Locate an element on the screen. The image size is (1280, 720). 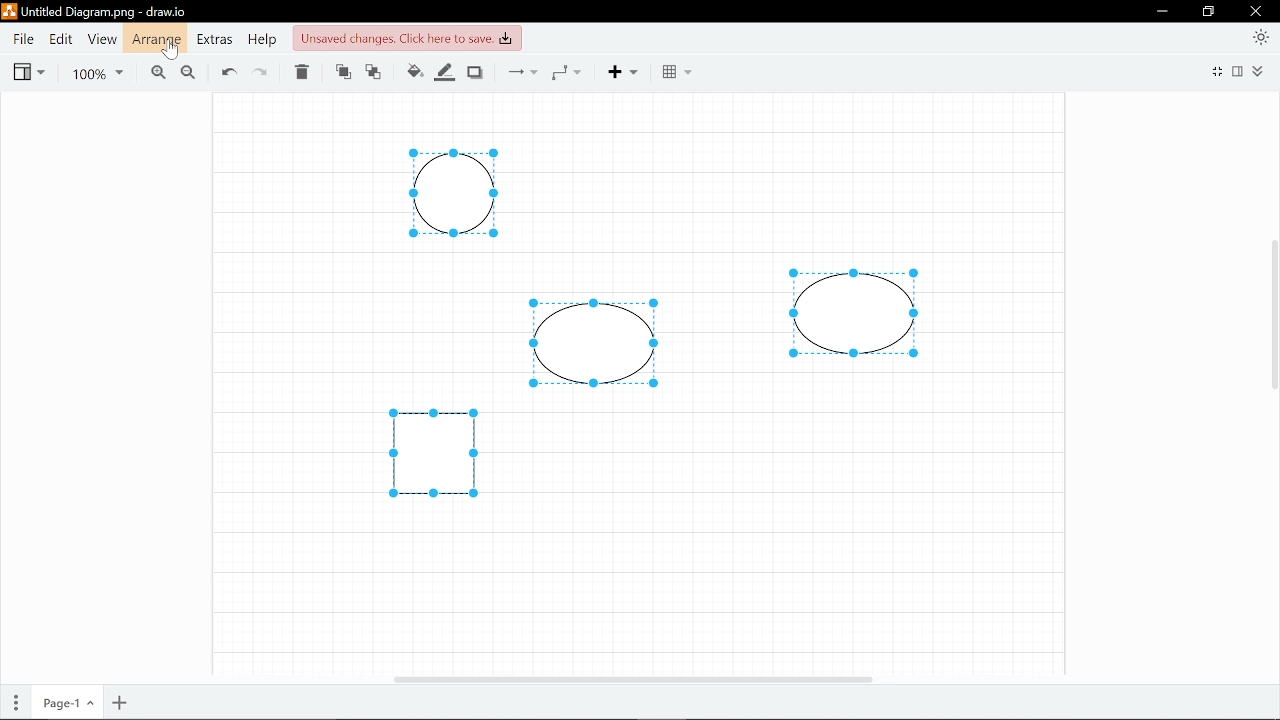
Format is located at coordinates (1240, 71).